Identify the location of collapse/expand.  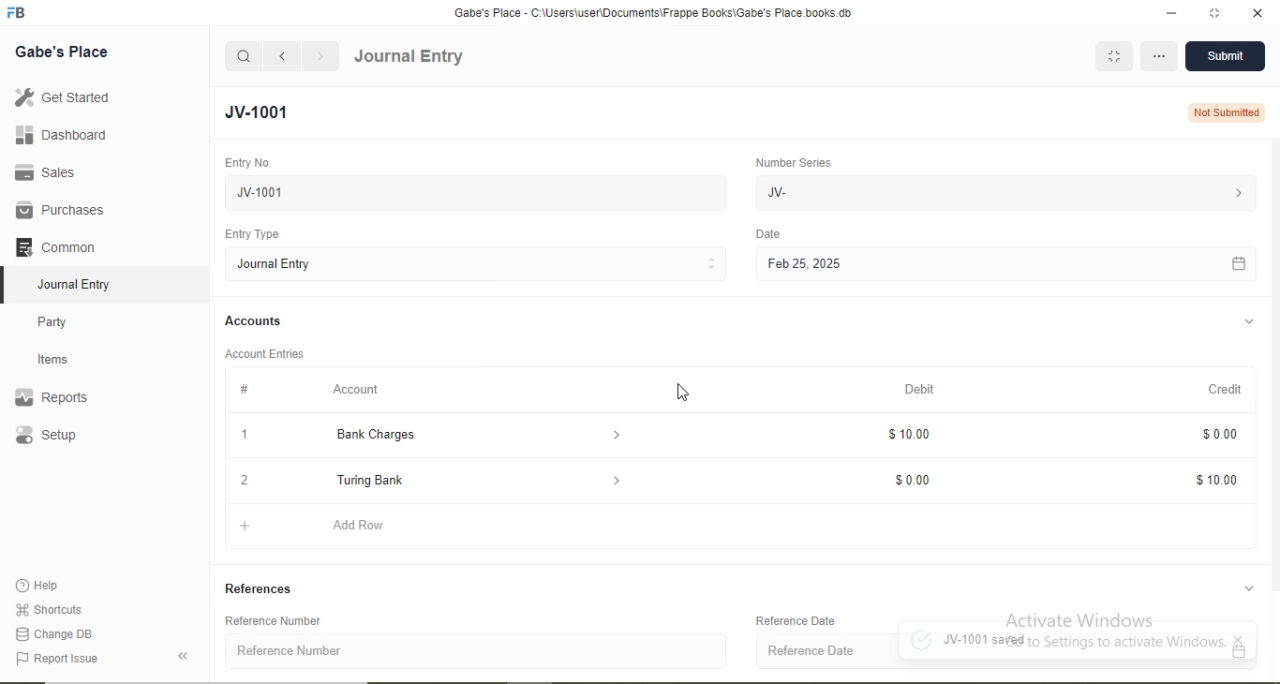
(1249, 587).